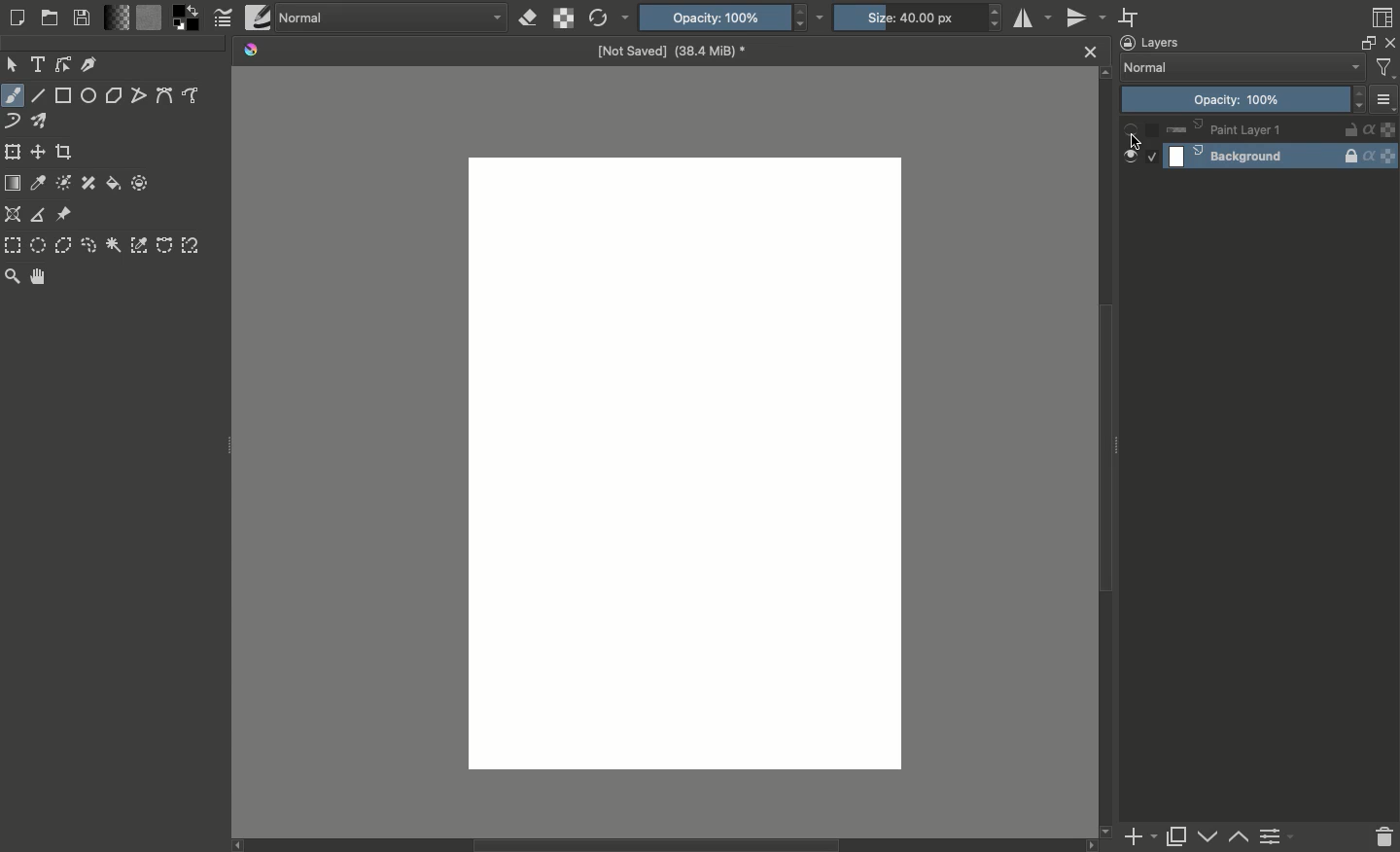 The image size is (1400, 852). I want to click on Fill, so click(116, 185).